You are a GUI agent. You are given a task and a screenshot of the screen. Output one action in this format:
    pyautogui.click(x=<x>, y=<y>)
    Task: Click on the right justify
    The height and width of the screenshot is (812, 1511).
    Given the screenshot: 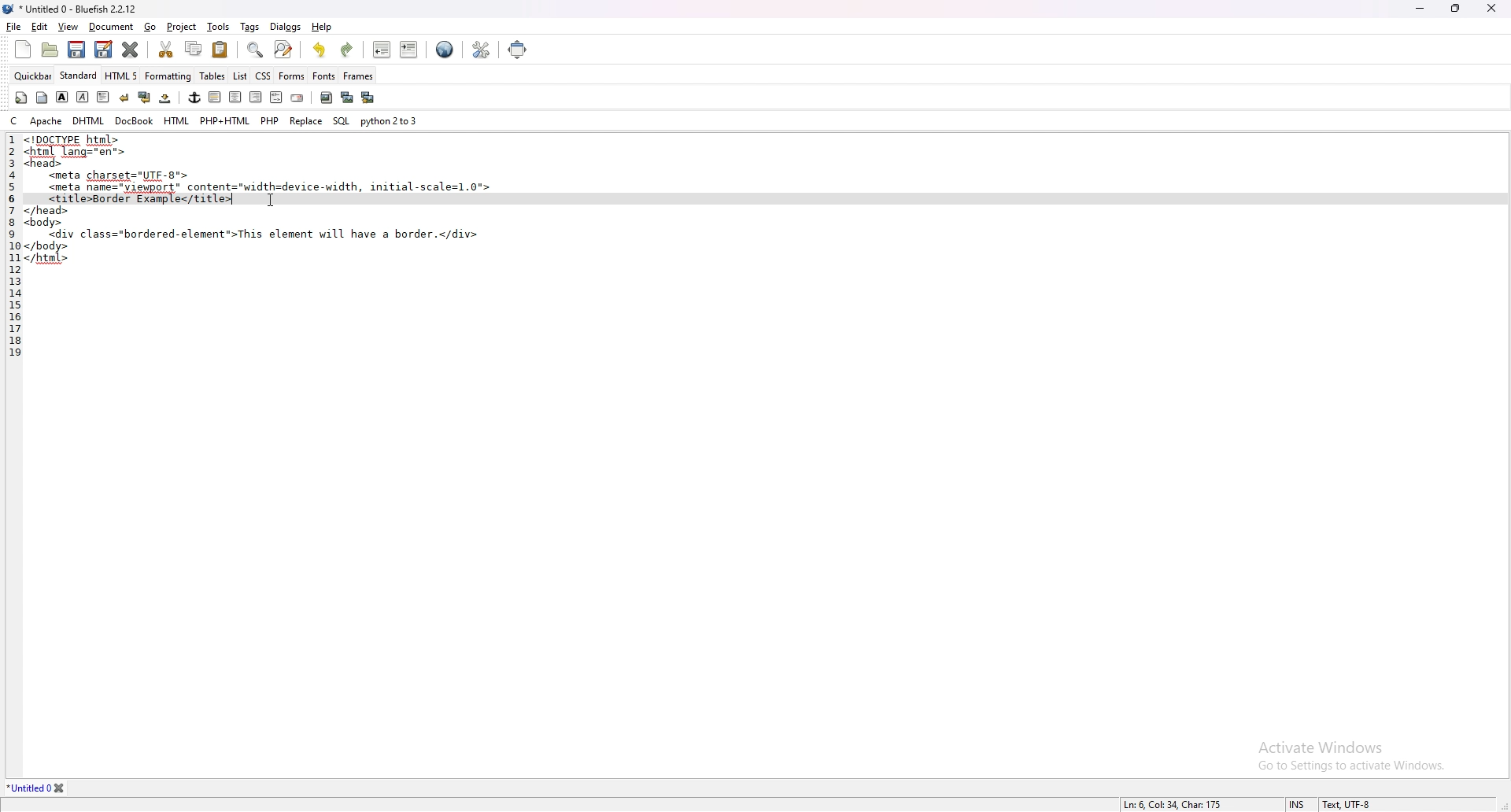 What is the action you would take?
    pyautogui.click(x=256, y=96)
    